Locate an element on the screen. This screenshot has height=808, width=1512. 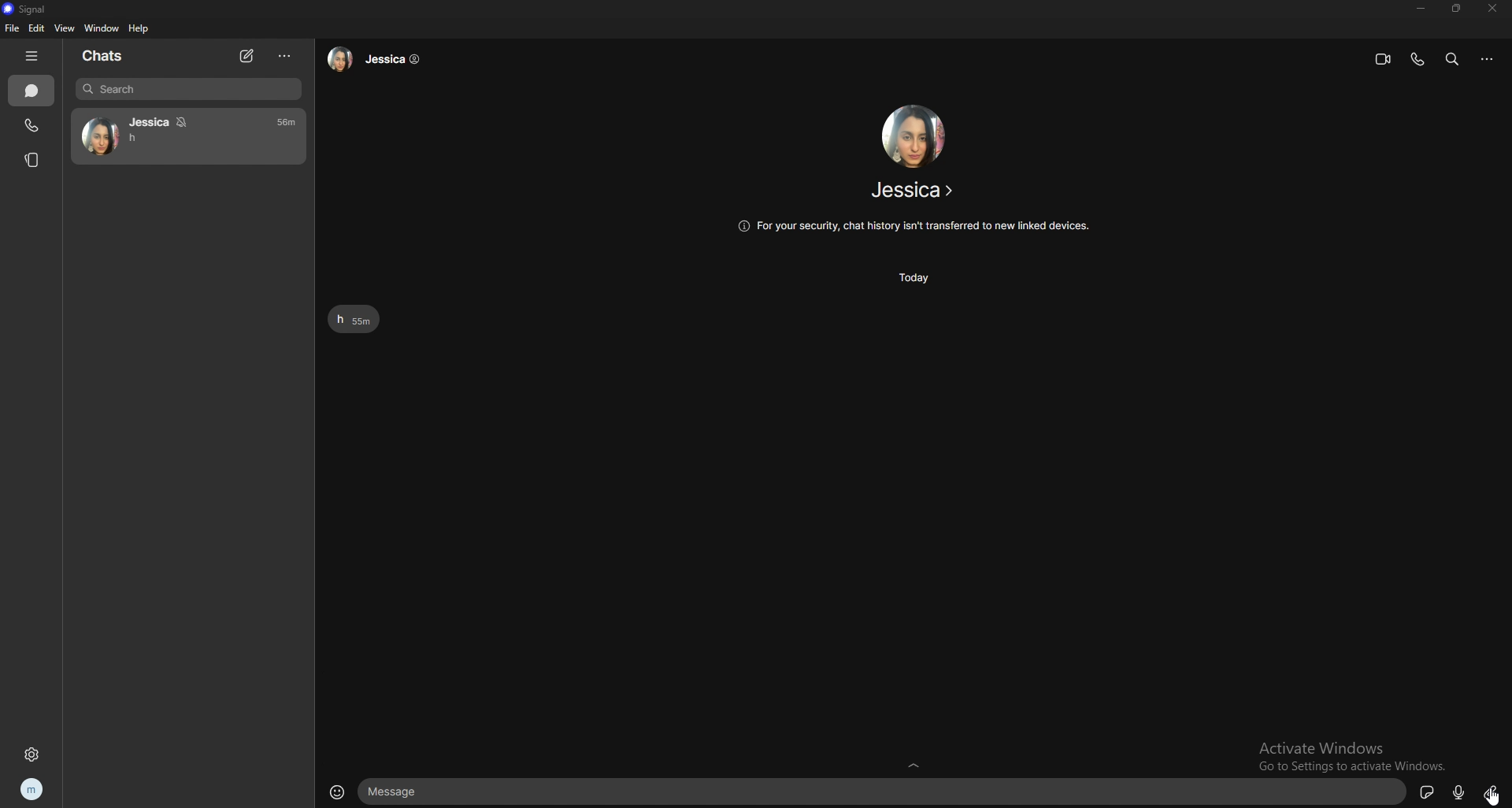
contact is located at coordinates (188, 136).